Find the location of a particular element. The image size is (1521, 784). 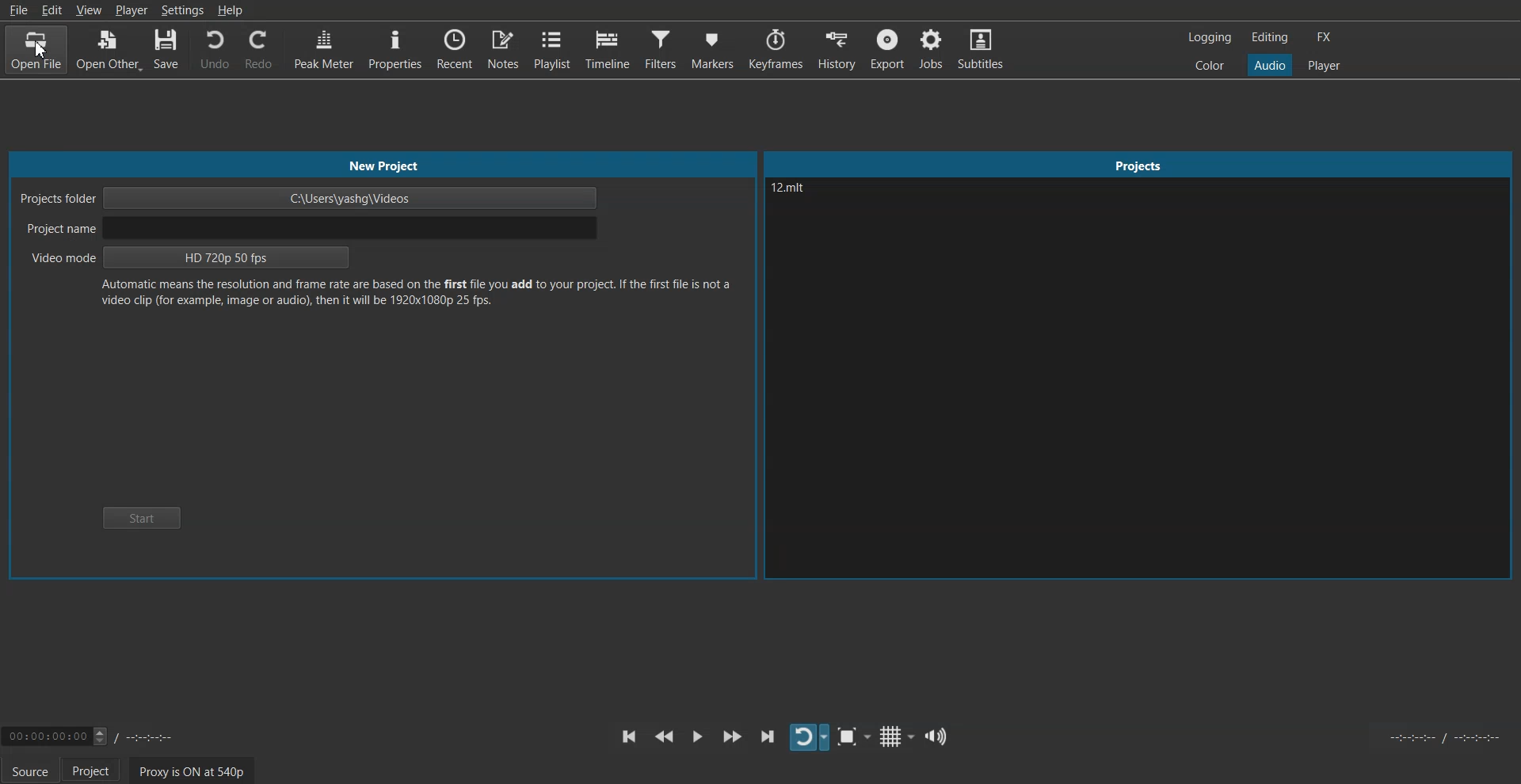

FX is located at coordinates (1325, 36).